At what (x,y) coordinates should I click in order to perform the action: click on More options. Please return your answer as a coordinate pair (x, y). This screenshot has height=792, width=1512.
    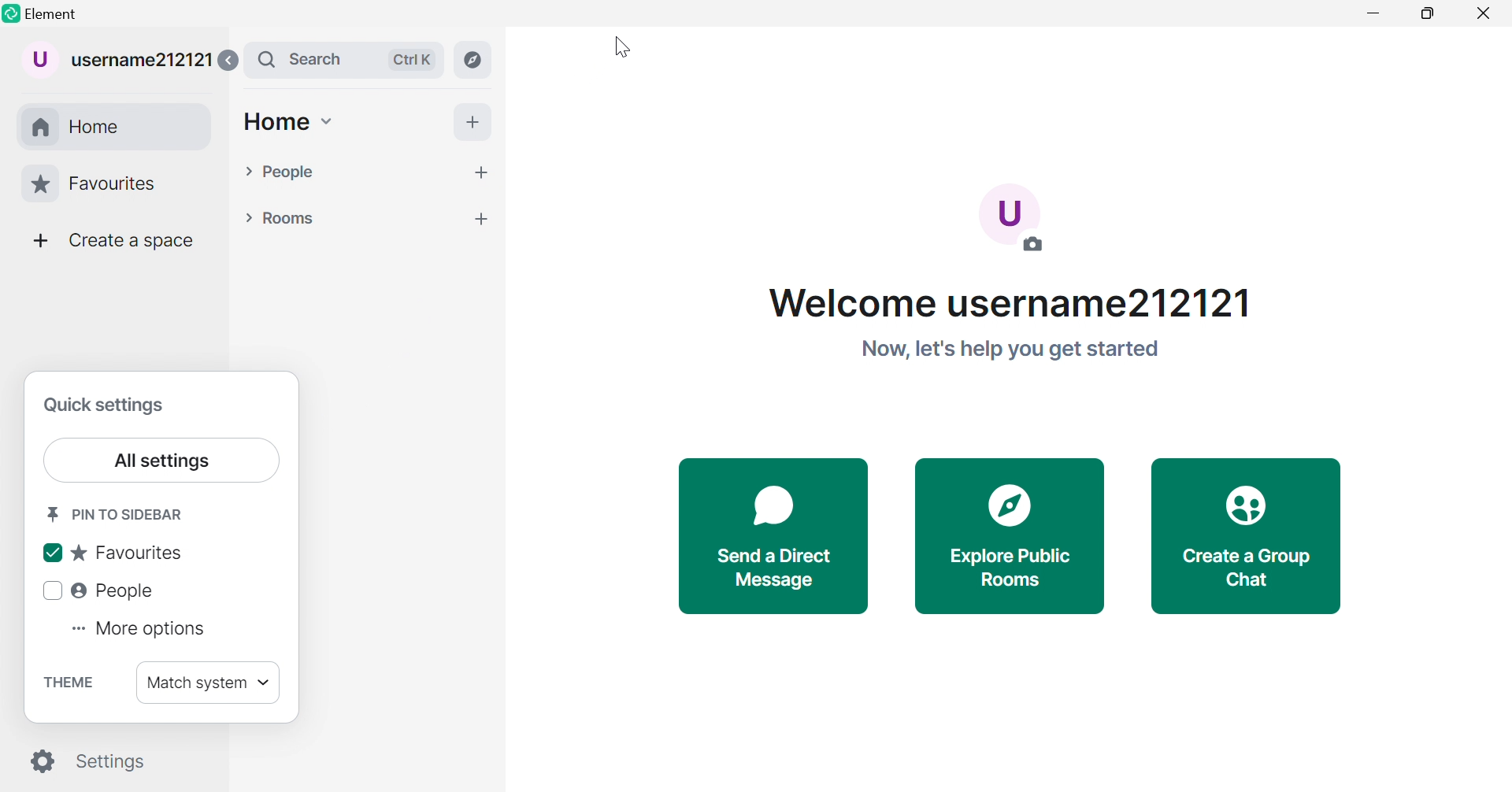
    Looking at the image, I should click on (139, 630).